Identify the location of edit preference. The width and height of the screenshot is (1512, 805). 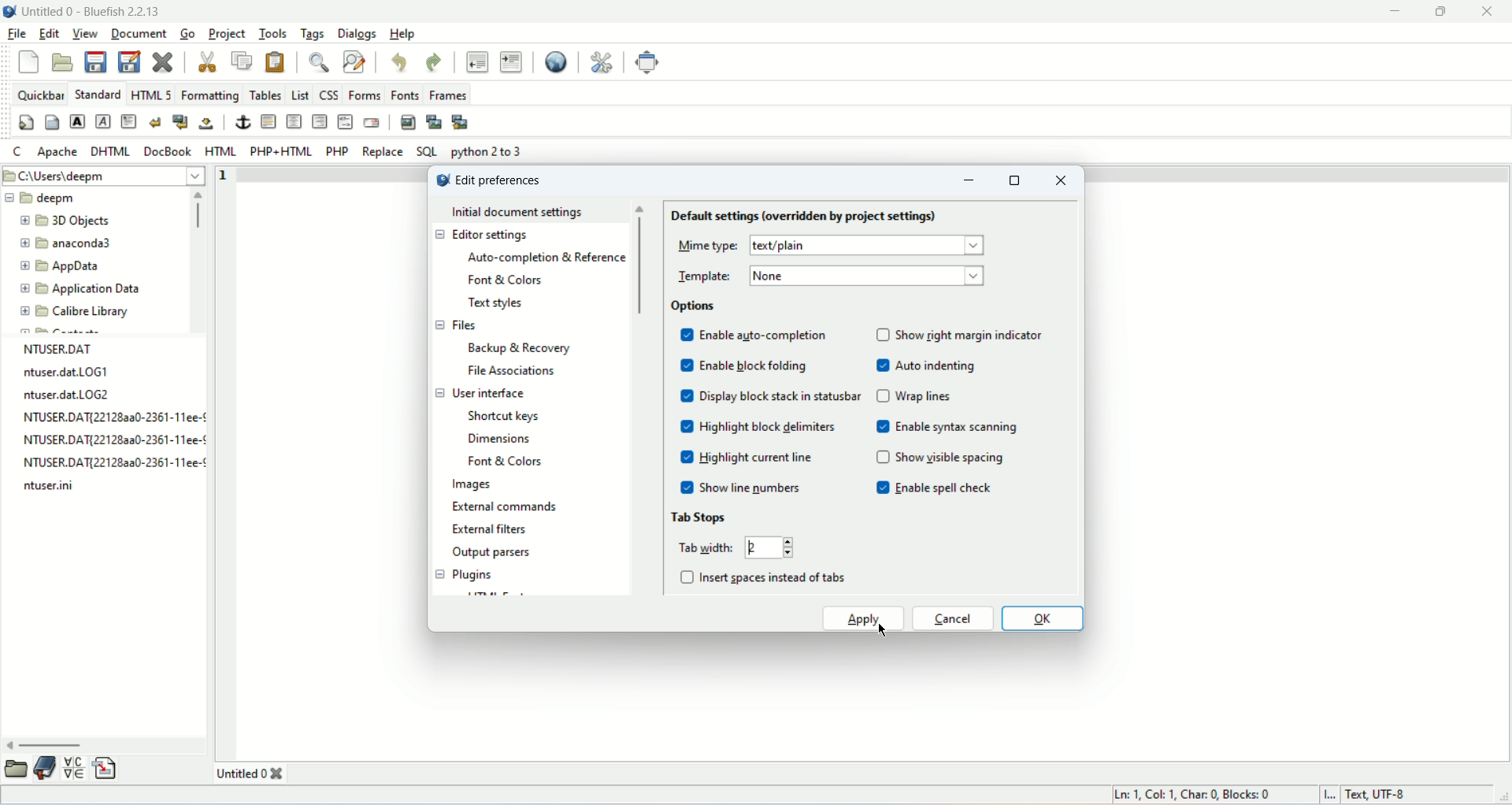
(500, 183).